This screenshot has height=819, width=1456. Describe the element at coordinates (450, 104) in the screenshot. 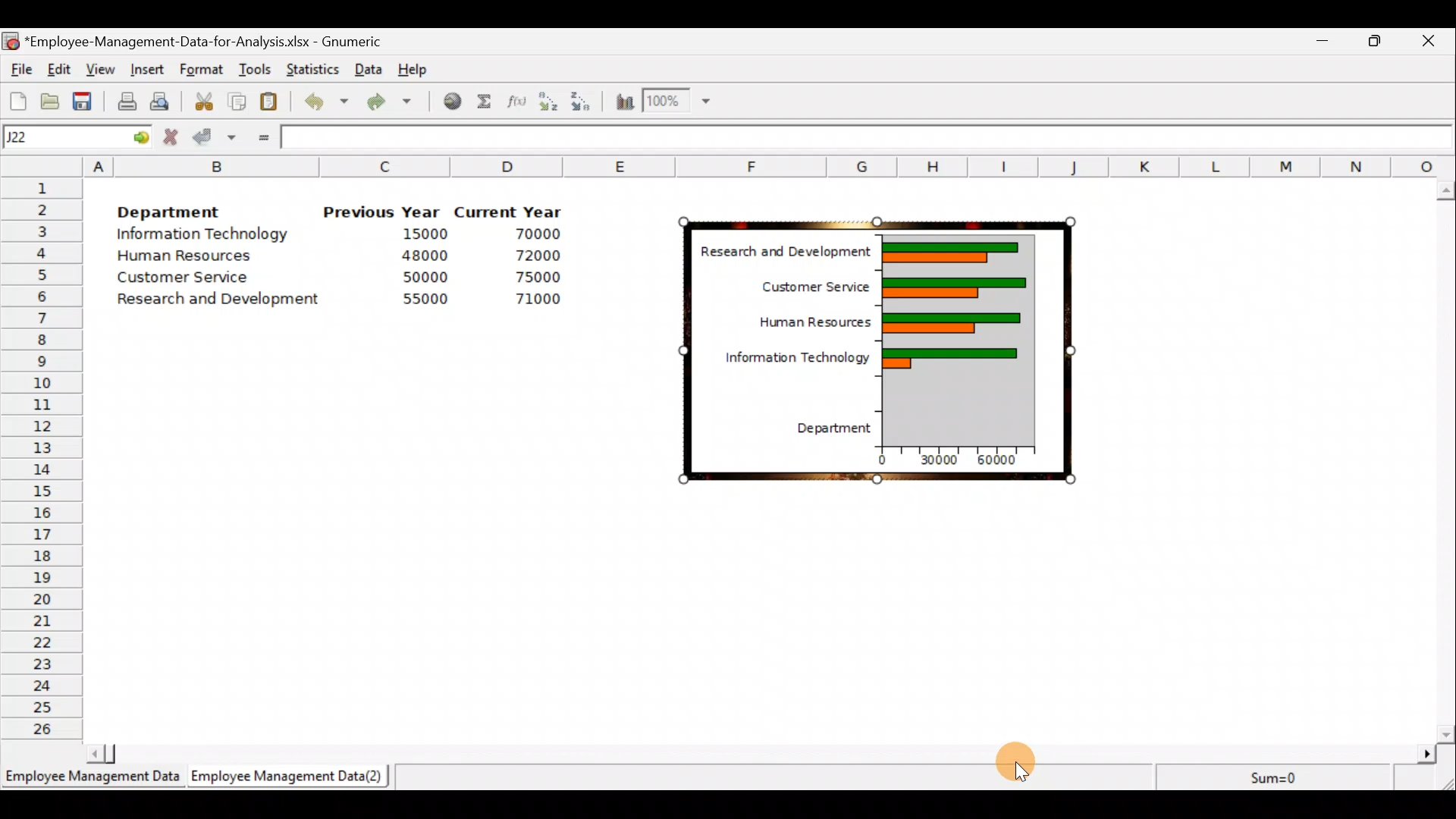

I see `Insert hyperlink` at that location.